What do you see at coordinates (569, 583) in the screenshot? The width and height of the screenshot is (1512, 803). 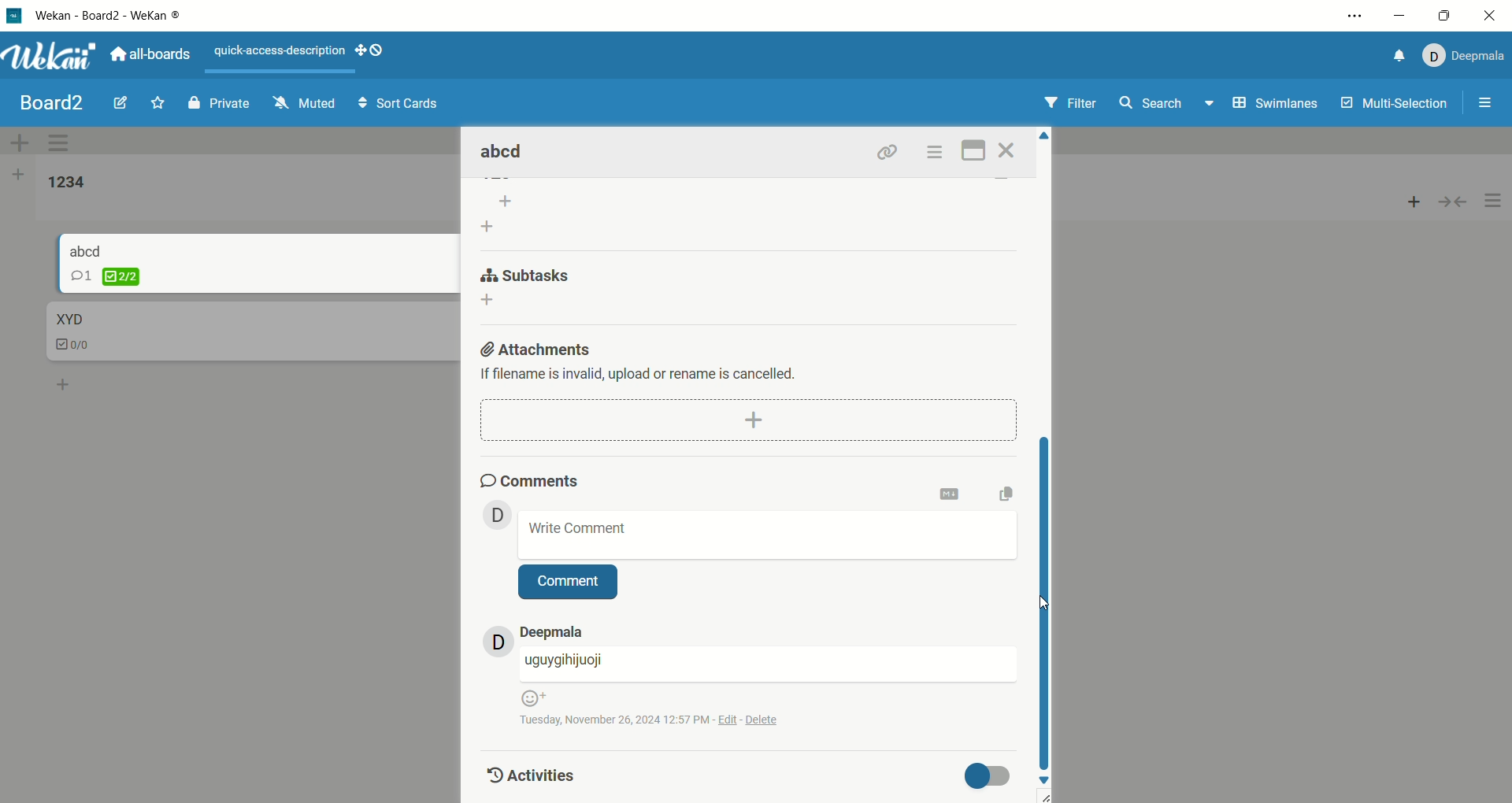 I see `comment` at bounding box center [569, 583].